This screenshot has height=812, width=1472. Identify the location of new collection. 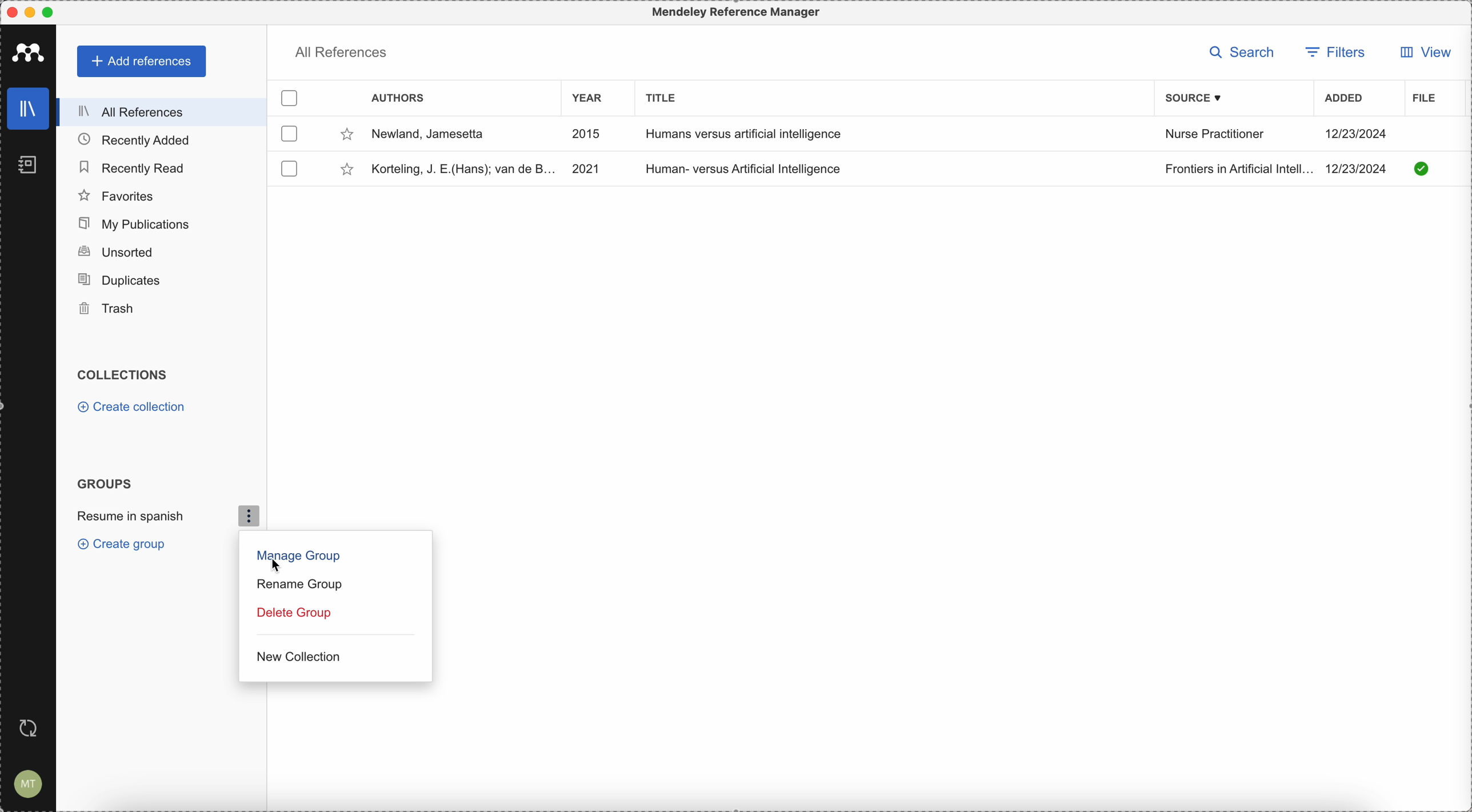
(297, 658).